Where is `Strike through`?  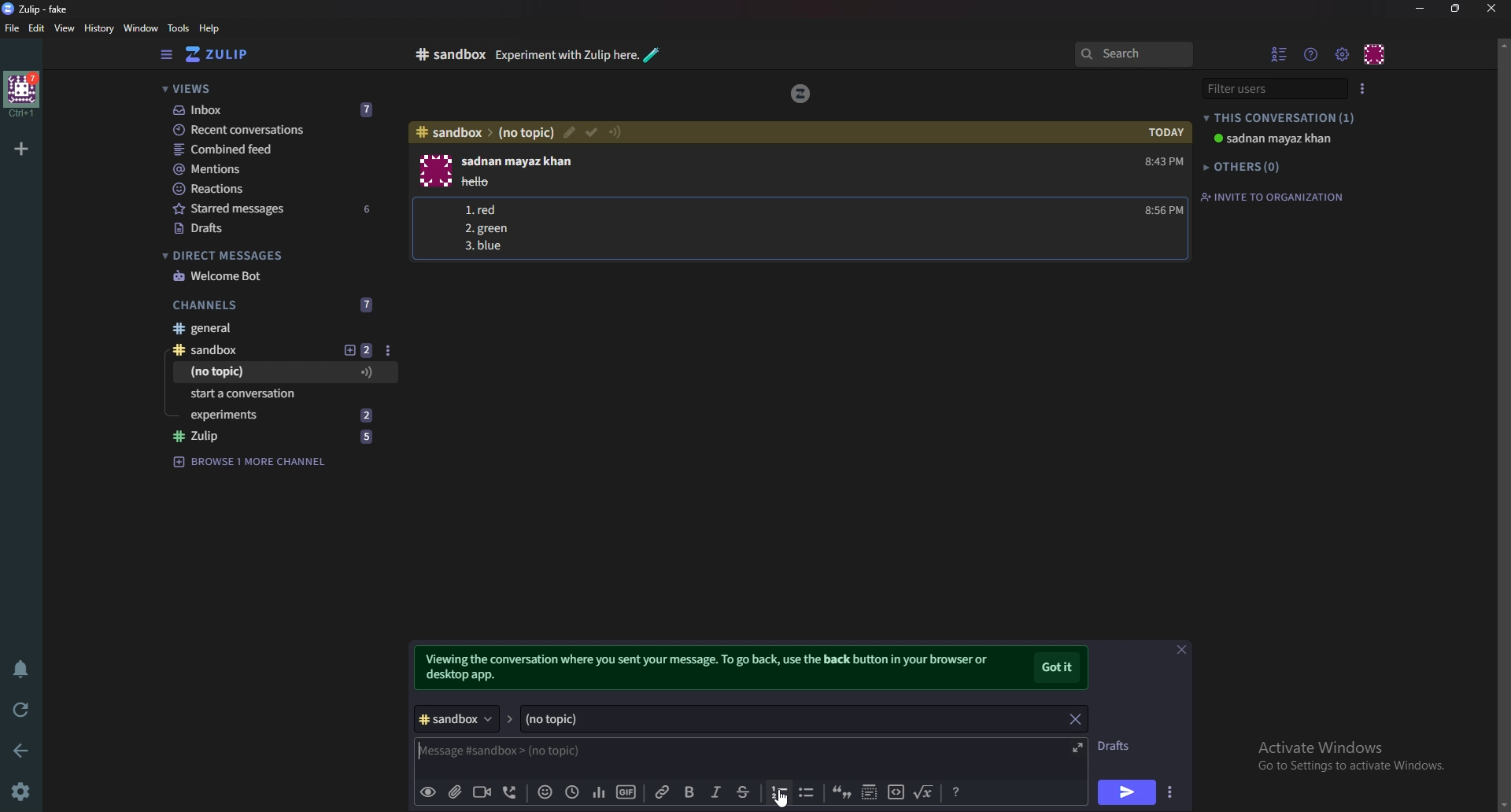
Strike through is located at coordinates (744, 792).